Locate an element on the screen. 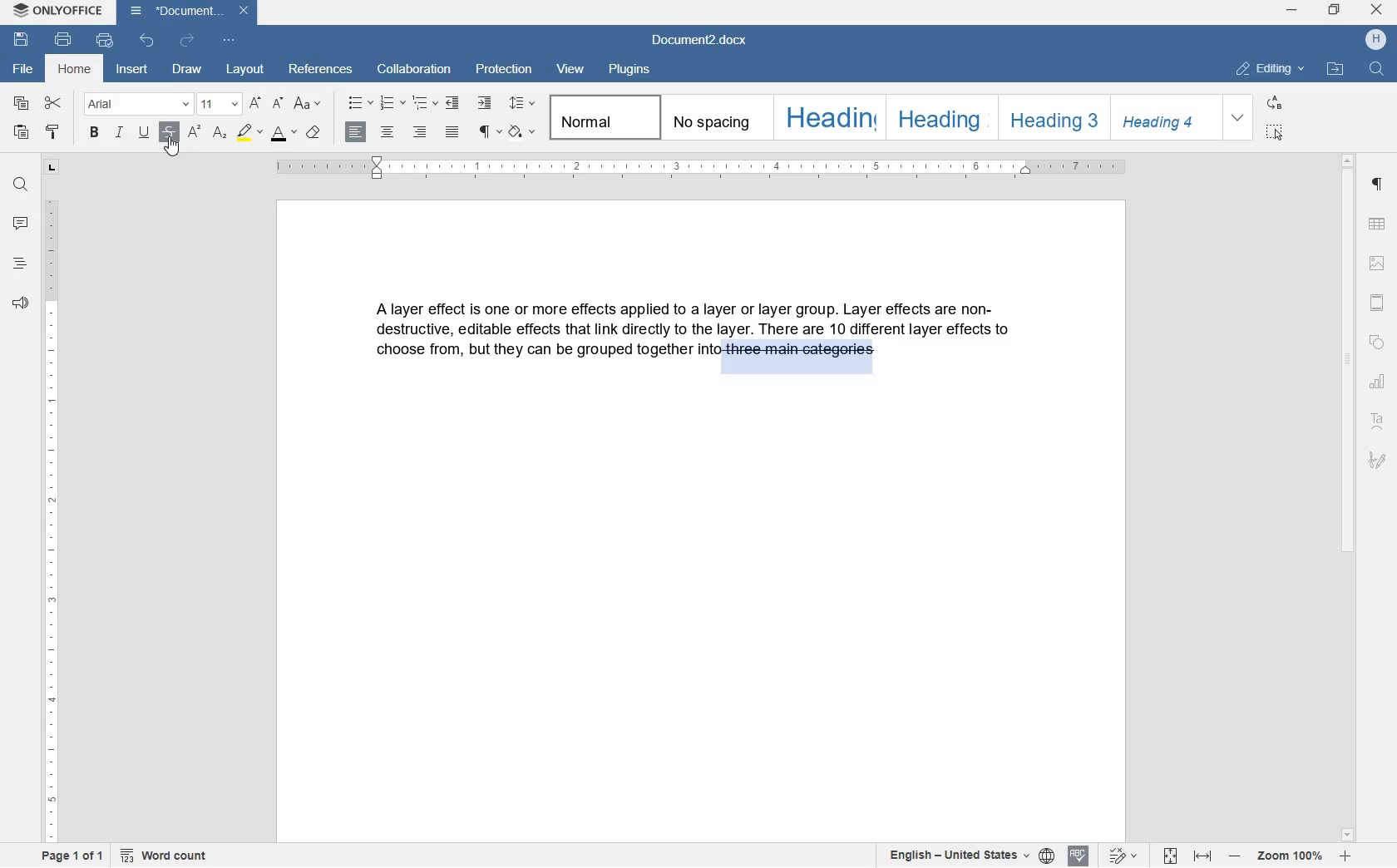  page 1 of 1 is located at coordinates (68, 856).